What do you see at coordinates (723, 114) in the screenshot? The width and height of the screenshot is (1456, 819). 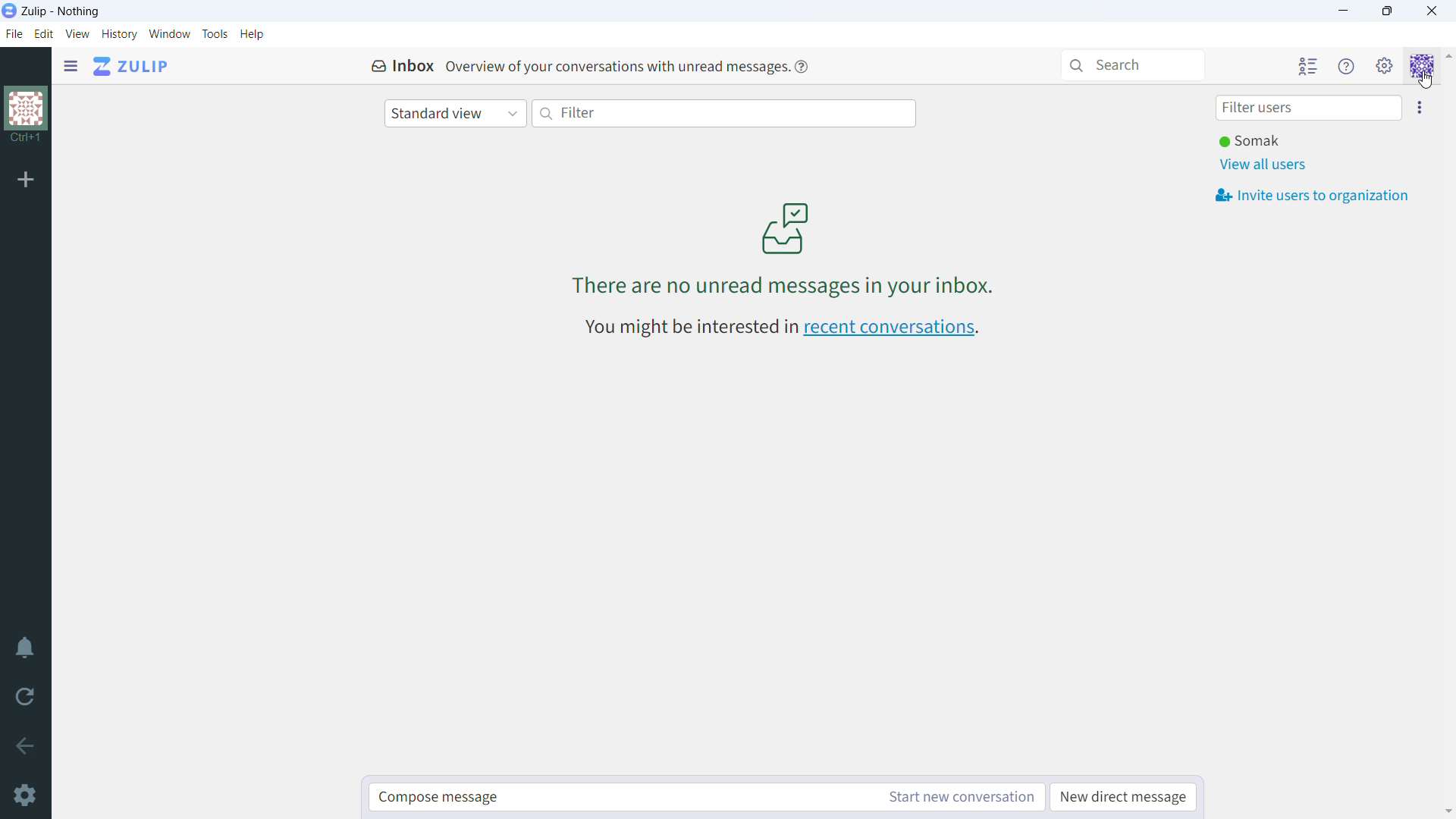 I see `filter` at bounding box center [723, 114].